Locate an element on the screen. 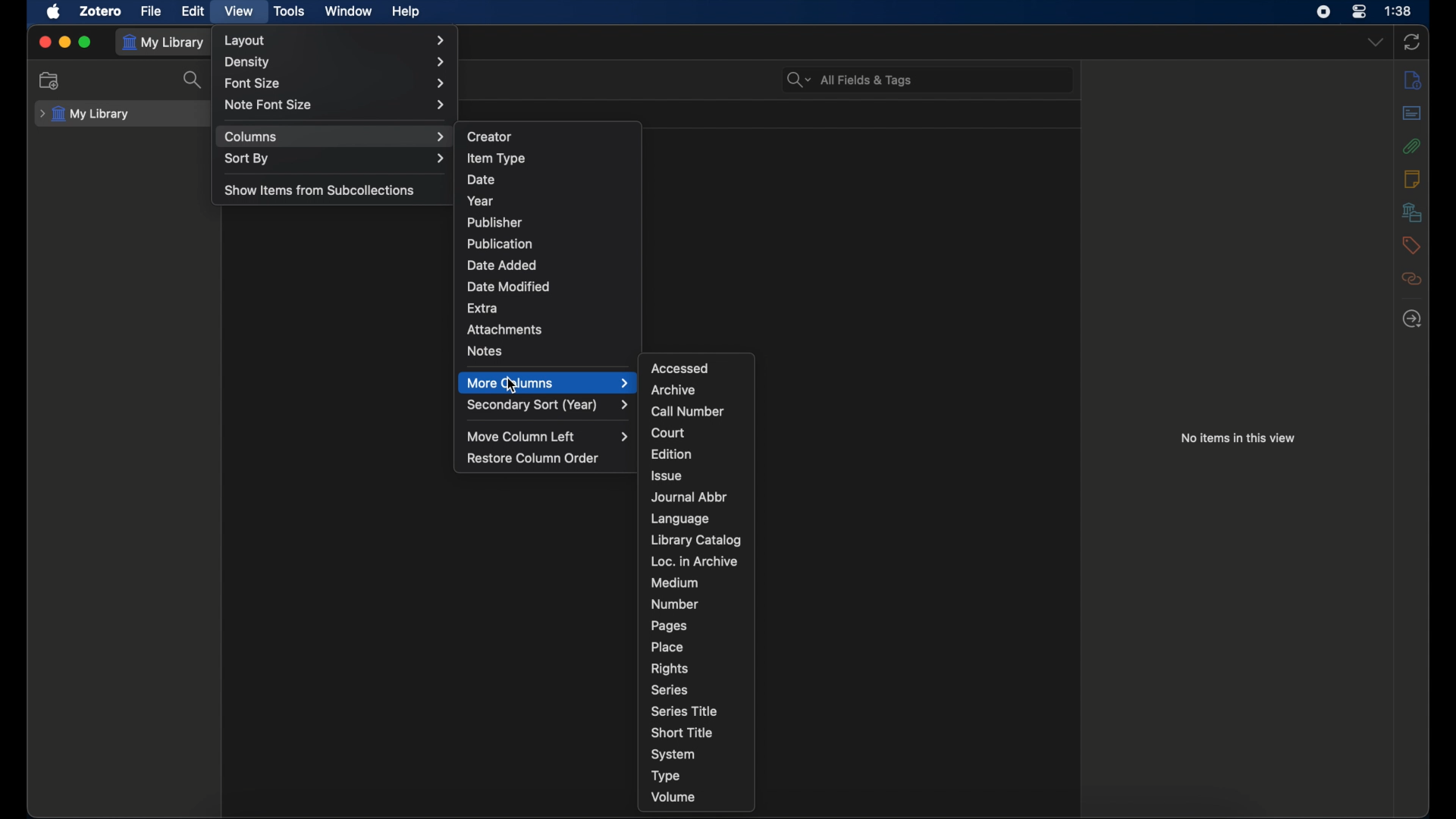 This screenshot has height=819, width=1456. tags is located at coordinates (1412, 245).